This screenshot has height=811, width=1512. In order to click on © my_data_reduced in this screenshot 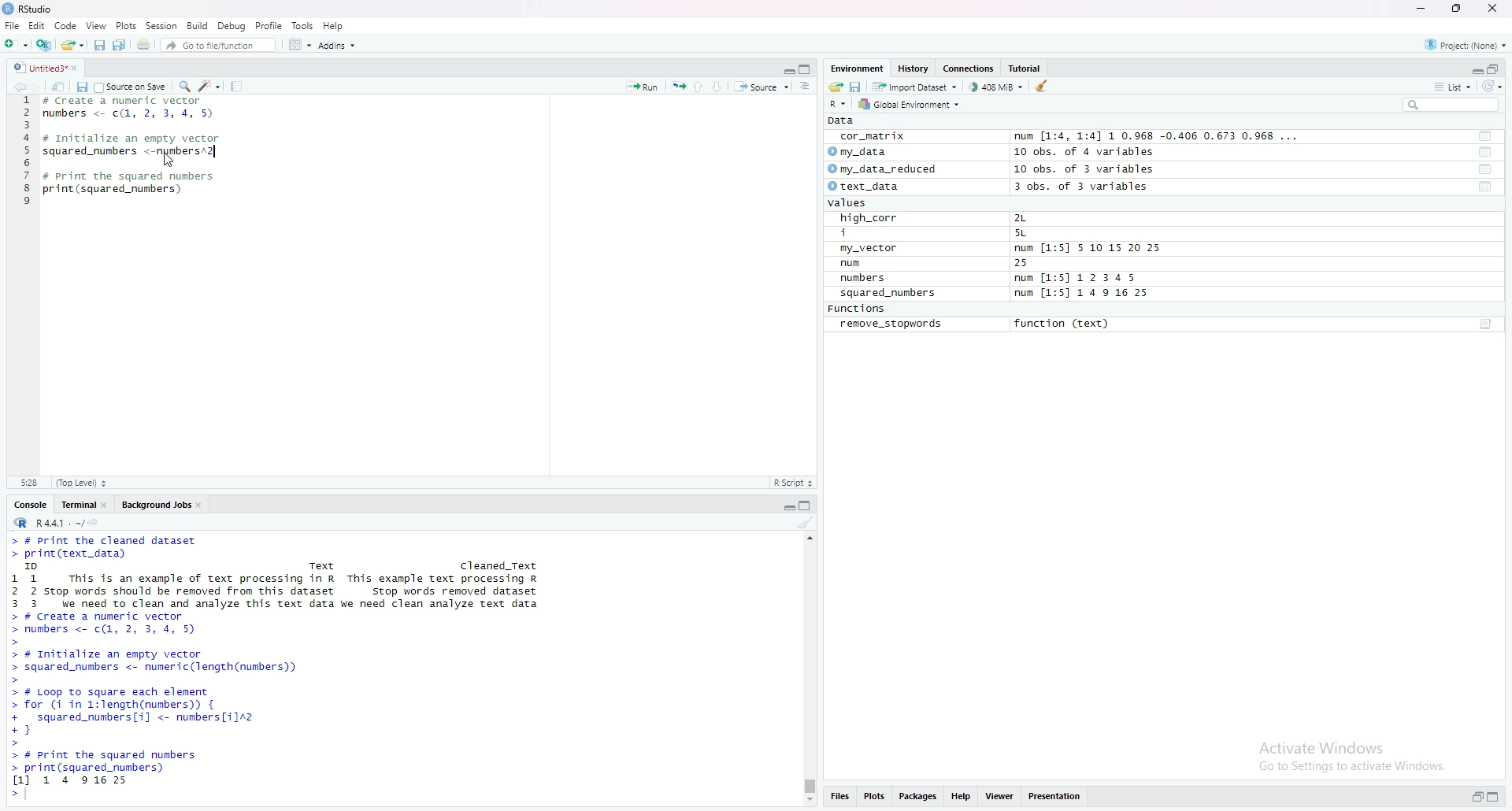, I will do `click(880, 169)`.